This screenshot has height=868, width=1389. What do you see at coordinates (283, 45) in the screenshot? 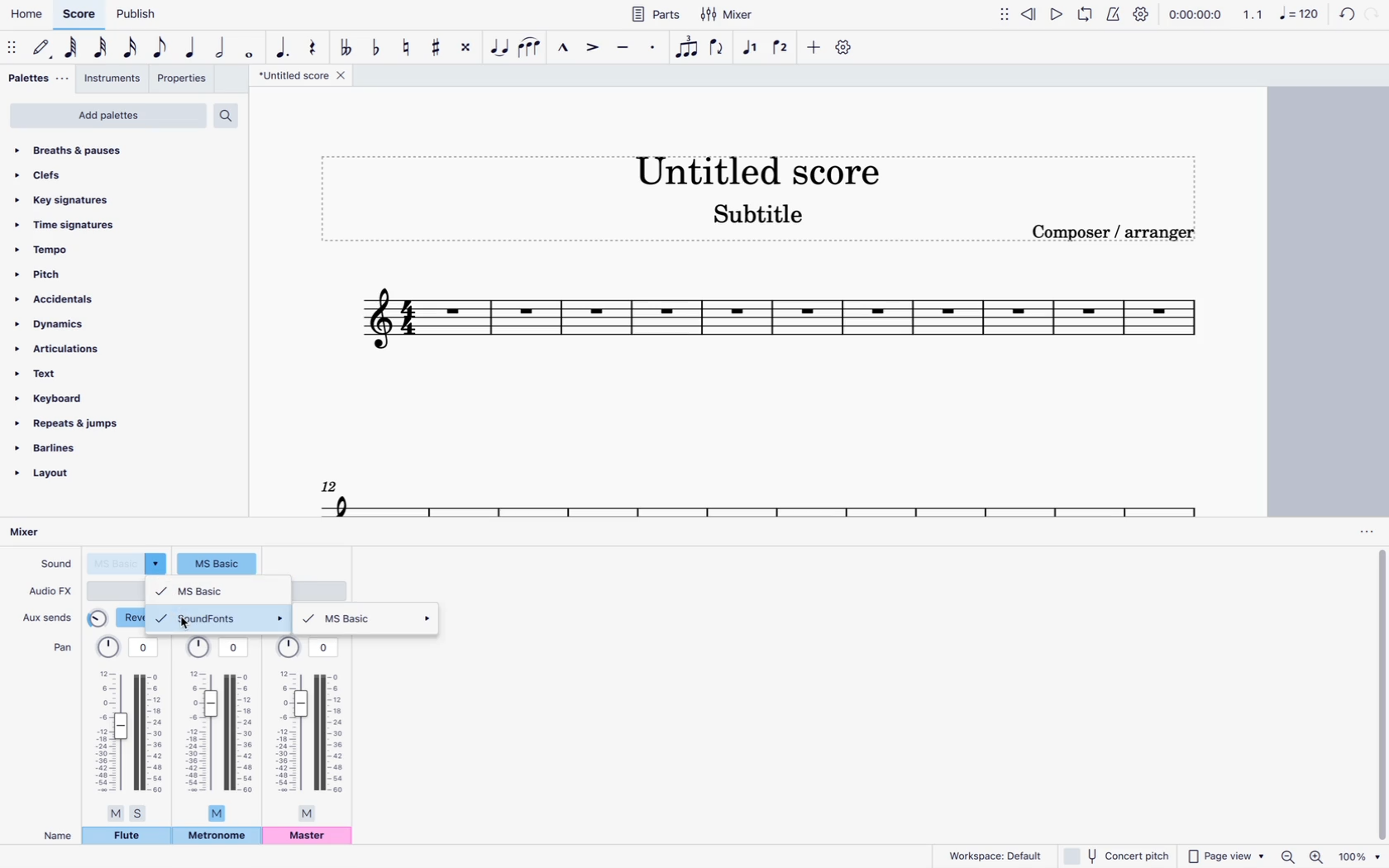
I see `augmentation dot` at bounding box center [283, 45].